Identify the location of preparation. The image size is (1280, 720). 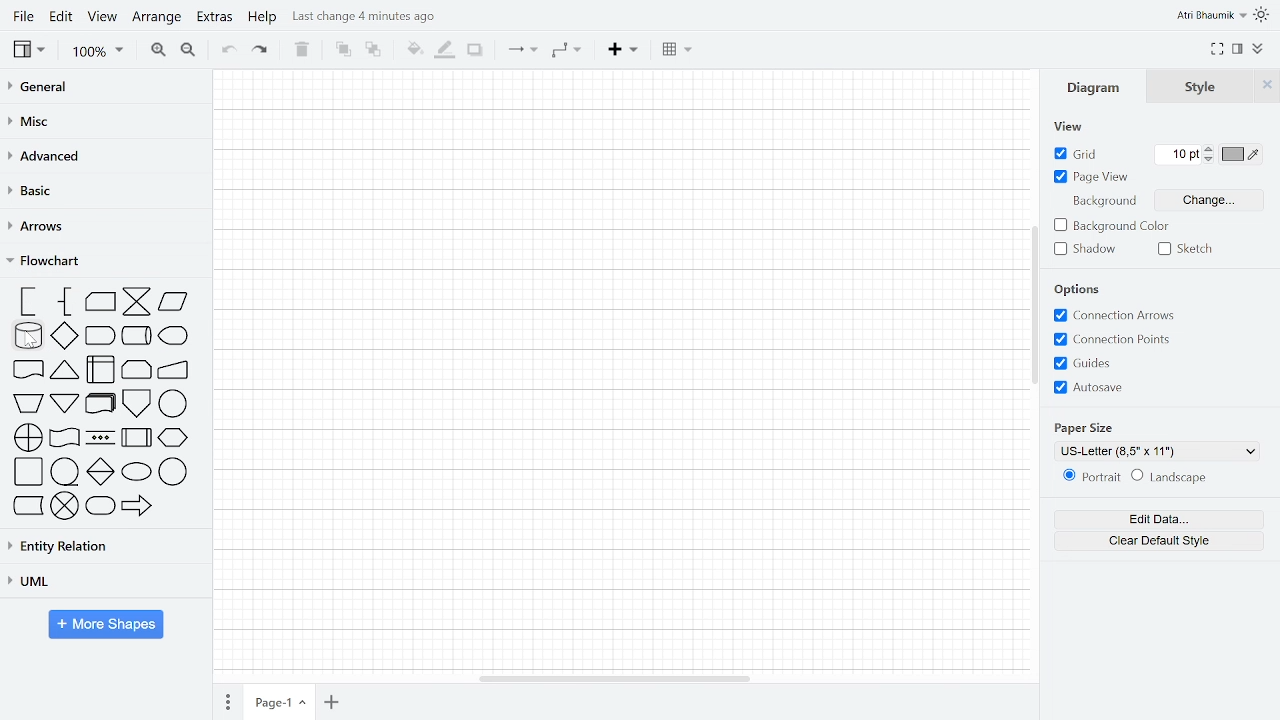
(174, 439).